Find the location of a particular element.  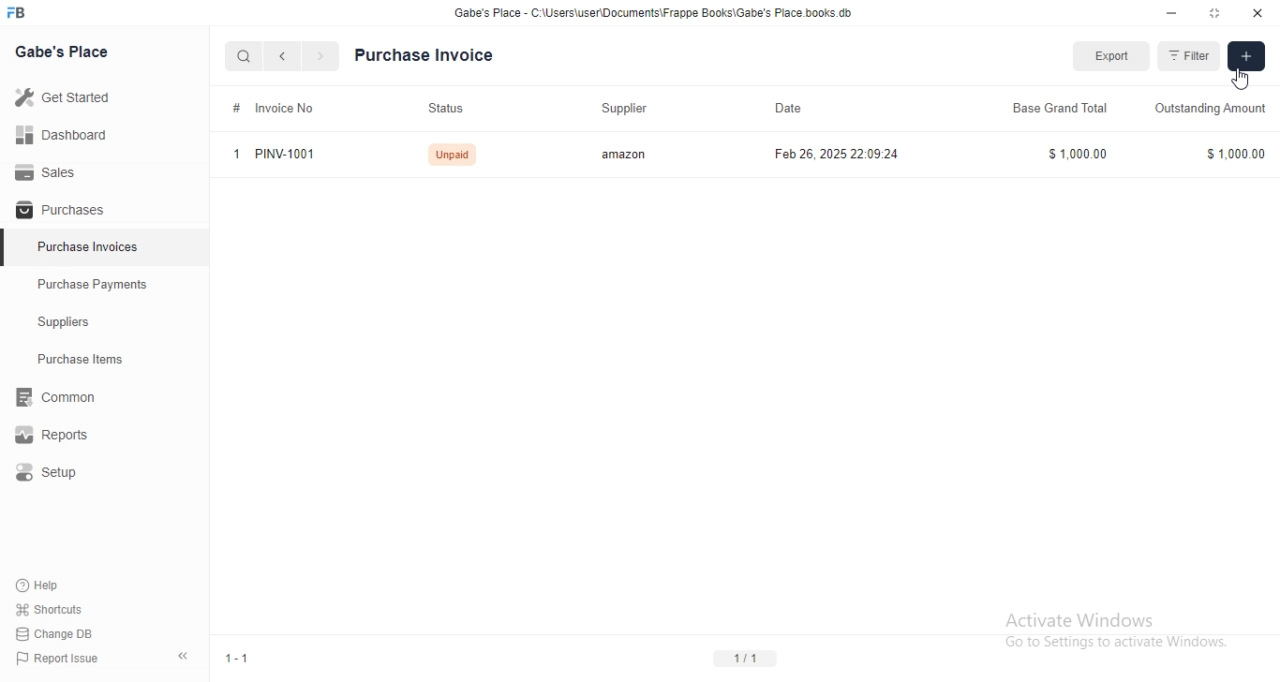

Frappe Books logo is located at coordinates (15, 12).